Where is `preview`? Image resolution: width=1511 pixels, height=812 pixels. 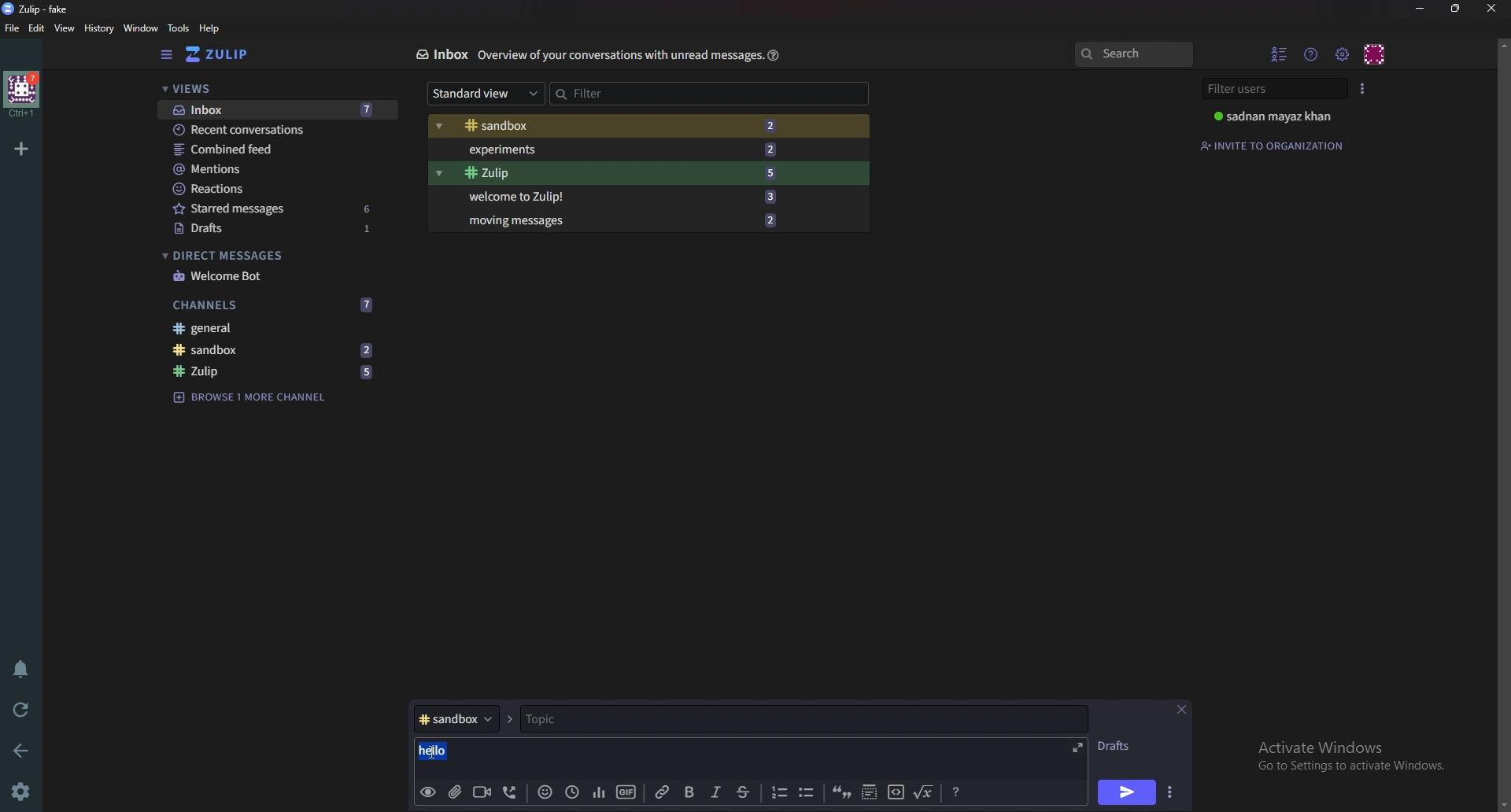
preview is located at coordinates (426, 792).